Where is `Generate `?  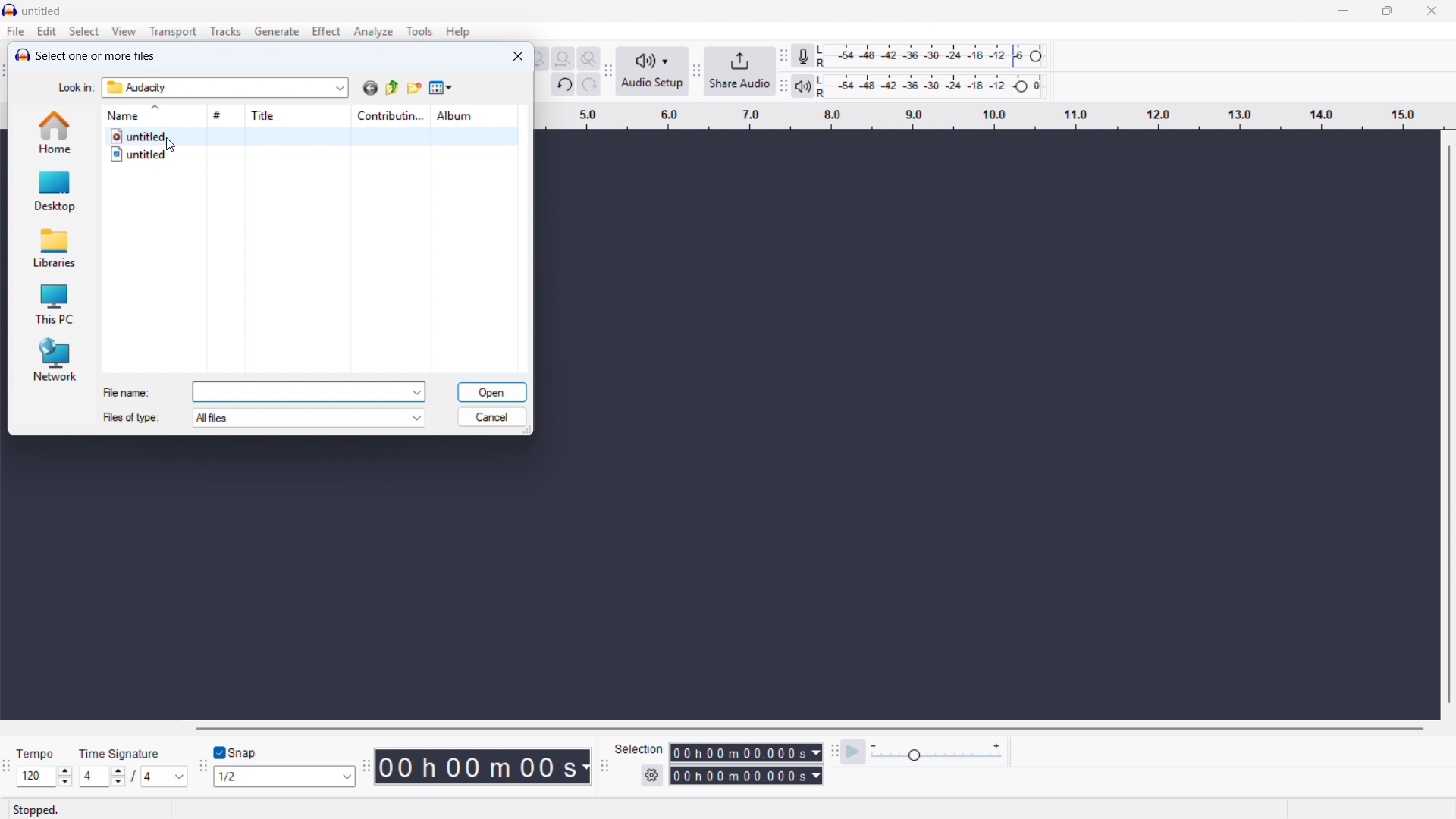
Generate  is located at coordinates (276, 31).